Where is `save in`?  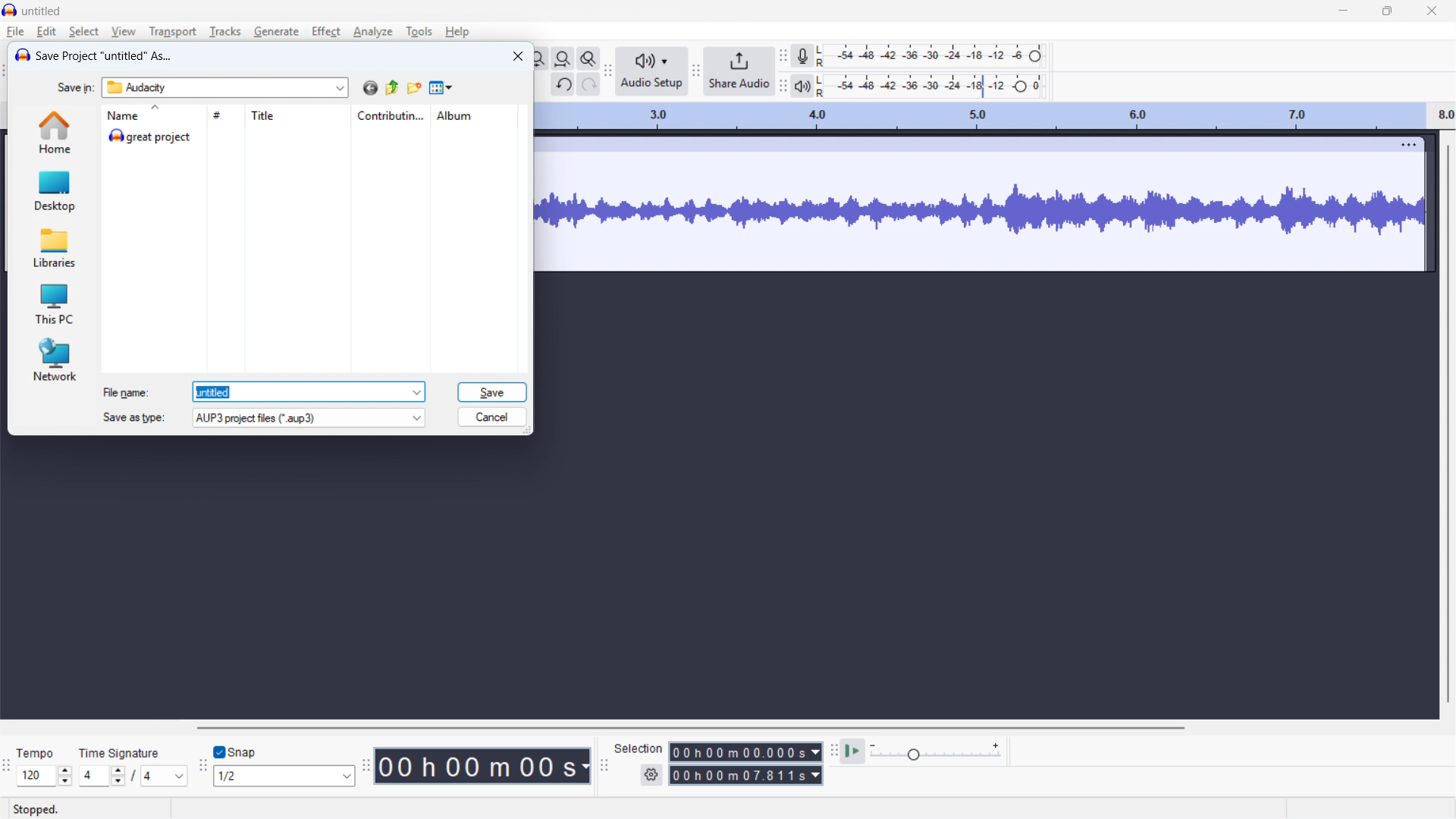
save in is located at coordinates (77, 88).